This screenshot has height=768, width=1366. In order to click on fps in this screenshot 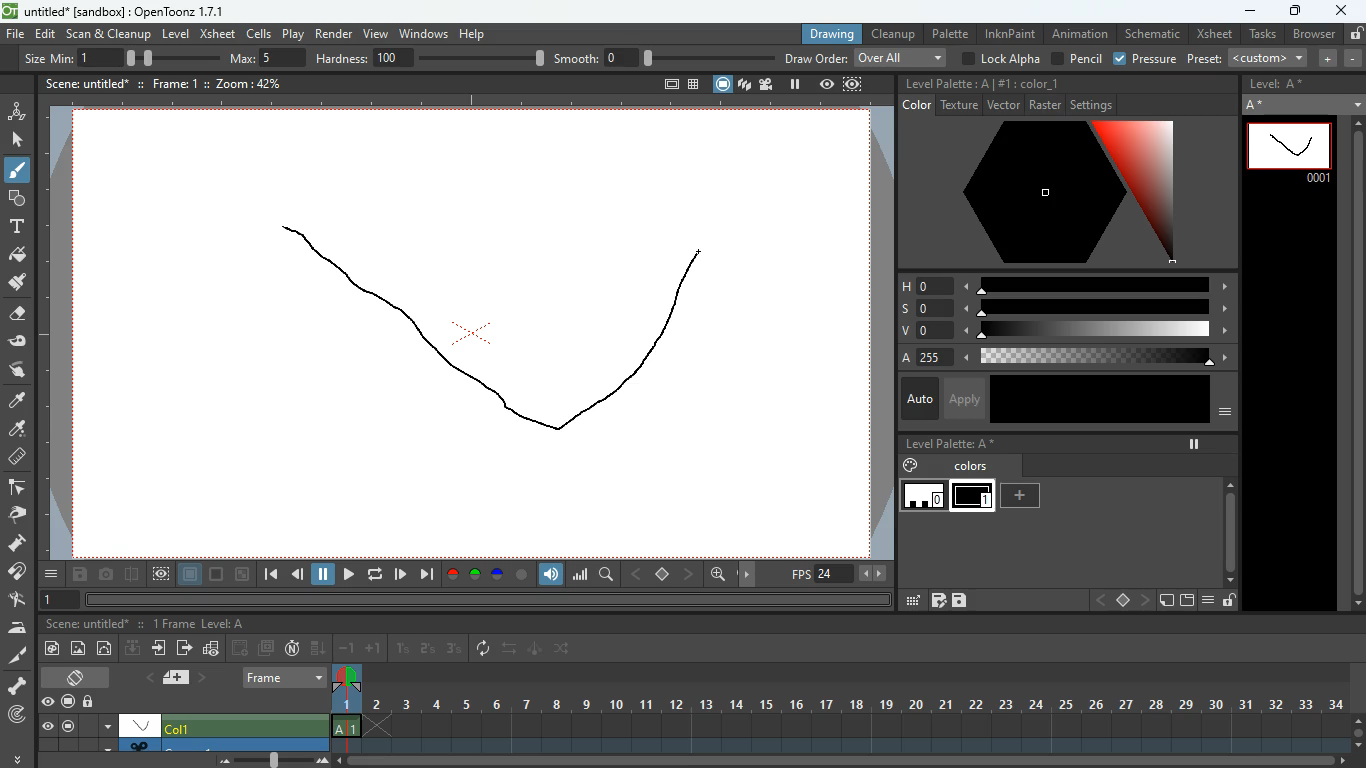, I will do `click(840, 574)`.